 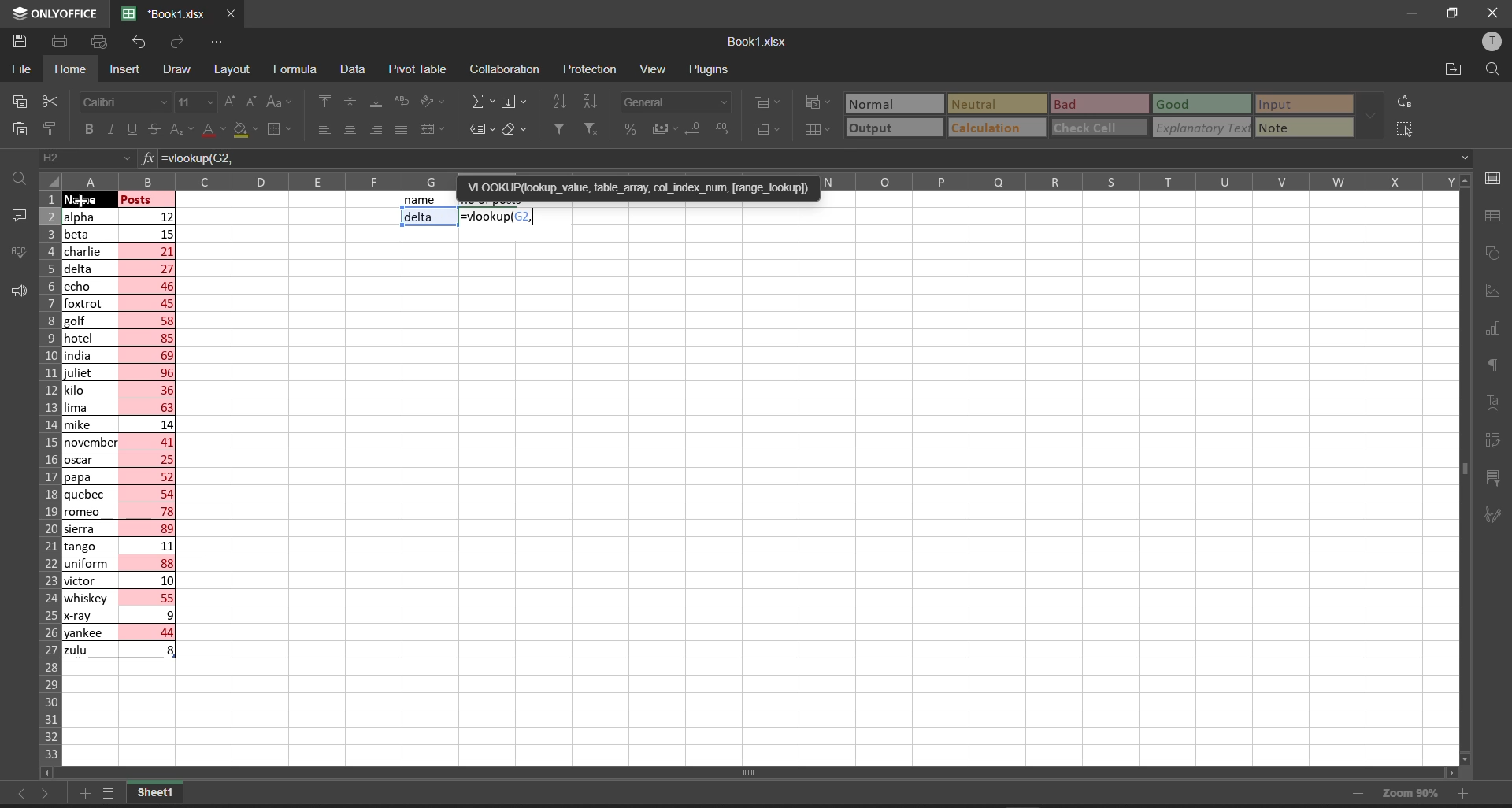 I want to click on move left, so click(x=52, y=773).